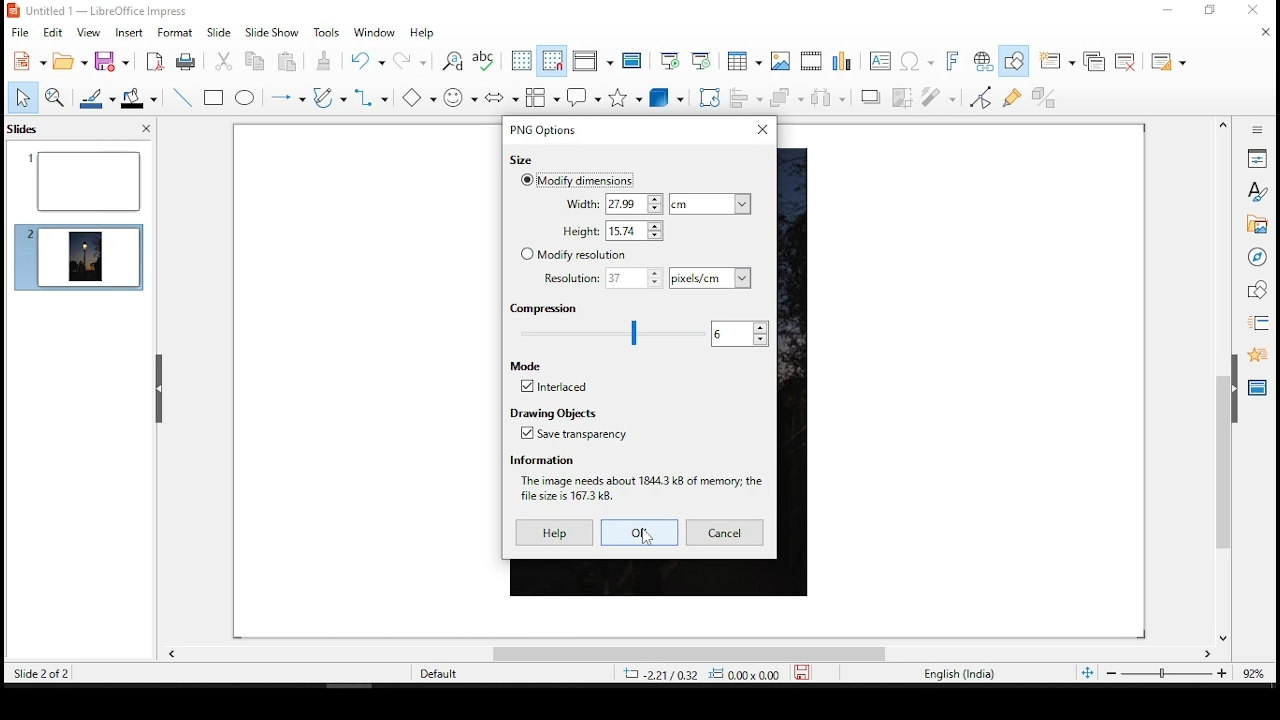 The image size is (1280, 720). Describe the element at coordinates (665, 99) in the screenshot. I see `3D objects` at that location.